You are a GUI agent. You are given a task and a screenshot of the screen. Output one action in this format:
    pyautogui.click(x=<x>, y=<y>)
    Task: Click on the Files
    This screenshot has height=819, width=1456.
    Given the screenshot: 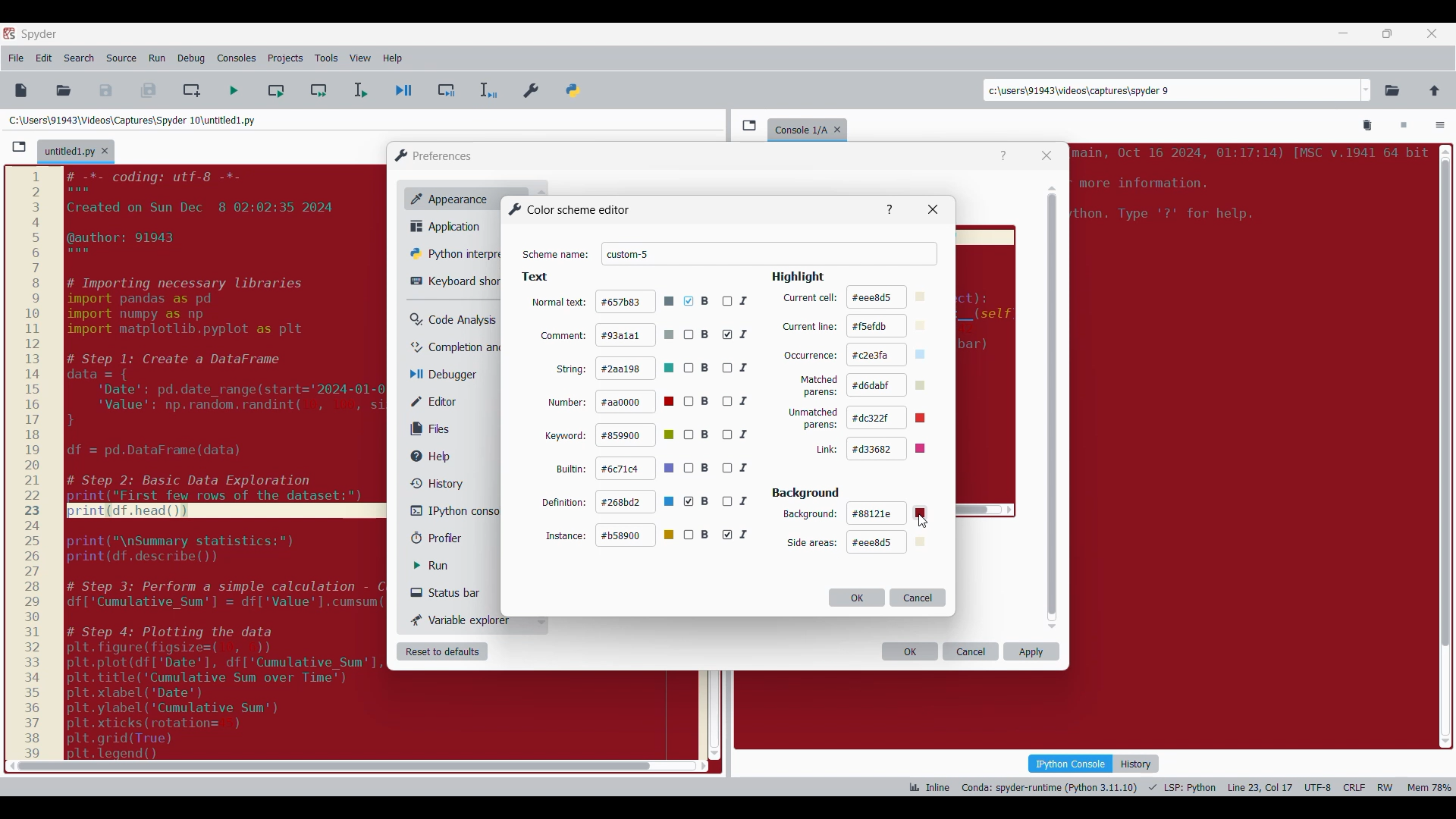 What is the action you would take?
    pyautogui.click(x=434, y=428)
    